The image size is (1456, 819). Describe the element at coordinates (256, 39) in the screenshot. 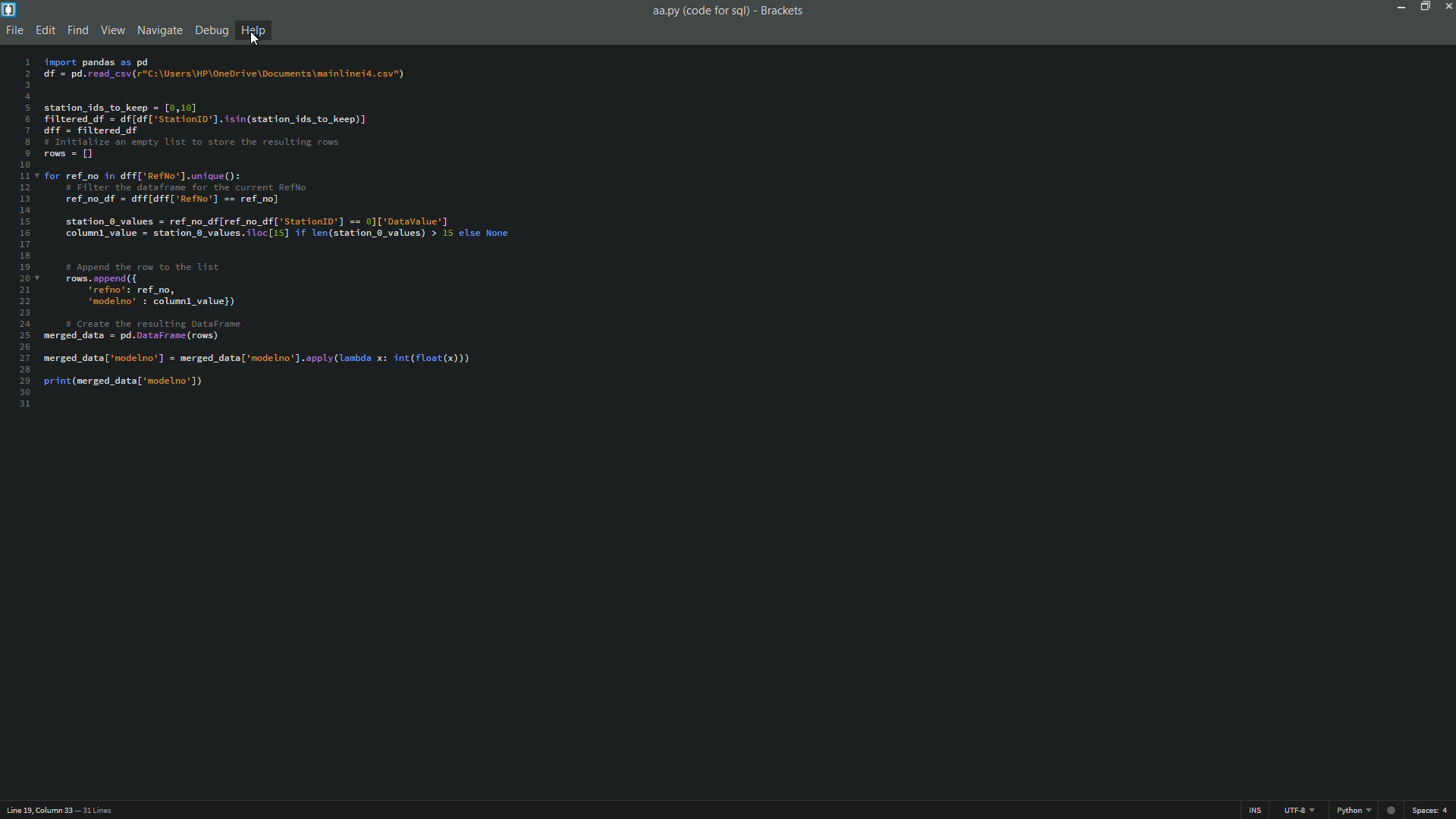

I see `cursor` at that location.